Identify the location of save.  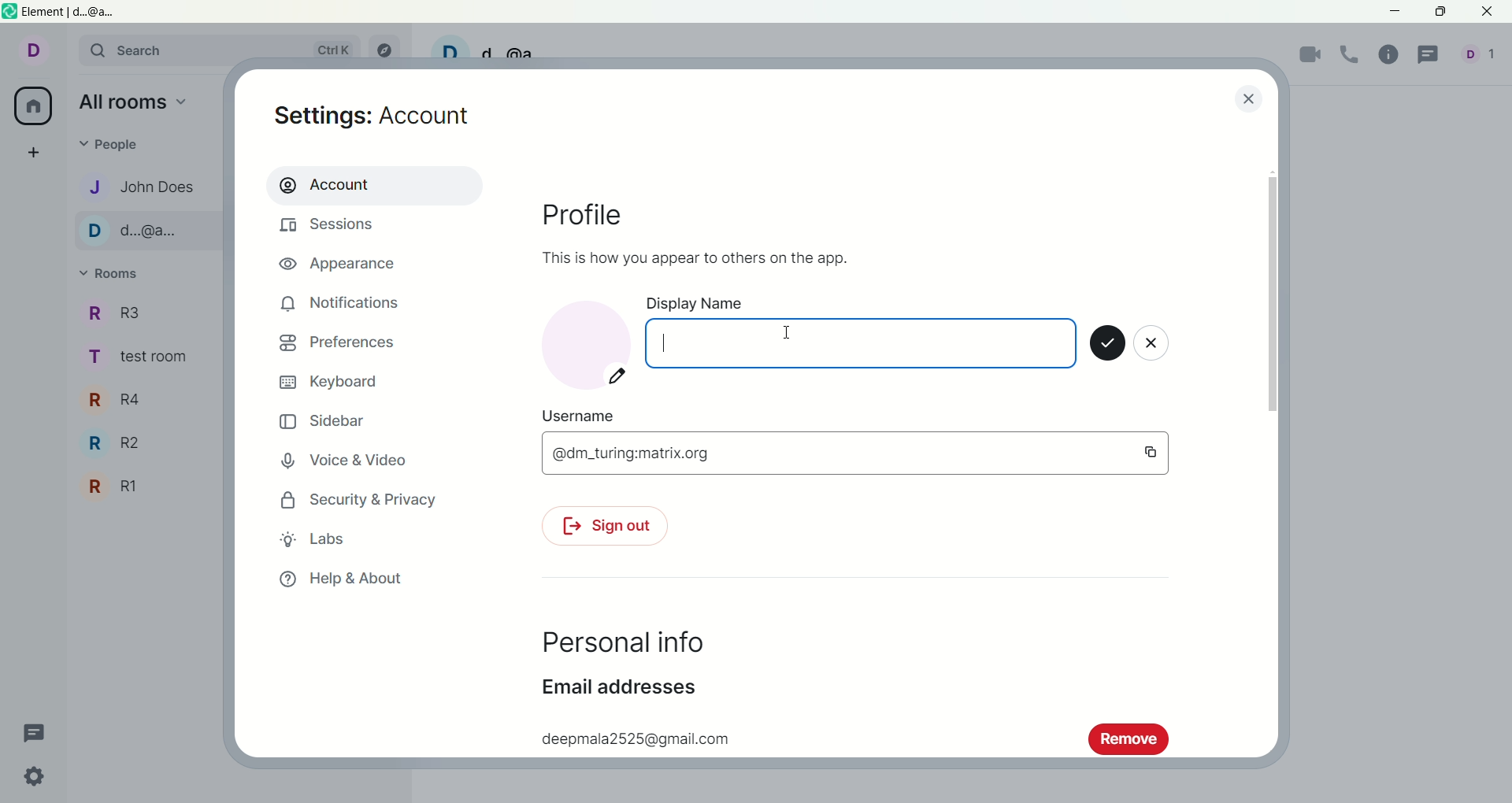
(1107, 345).